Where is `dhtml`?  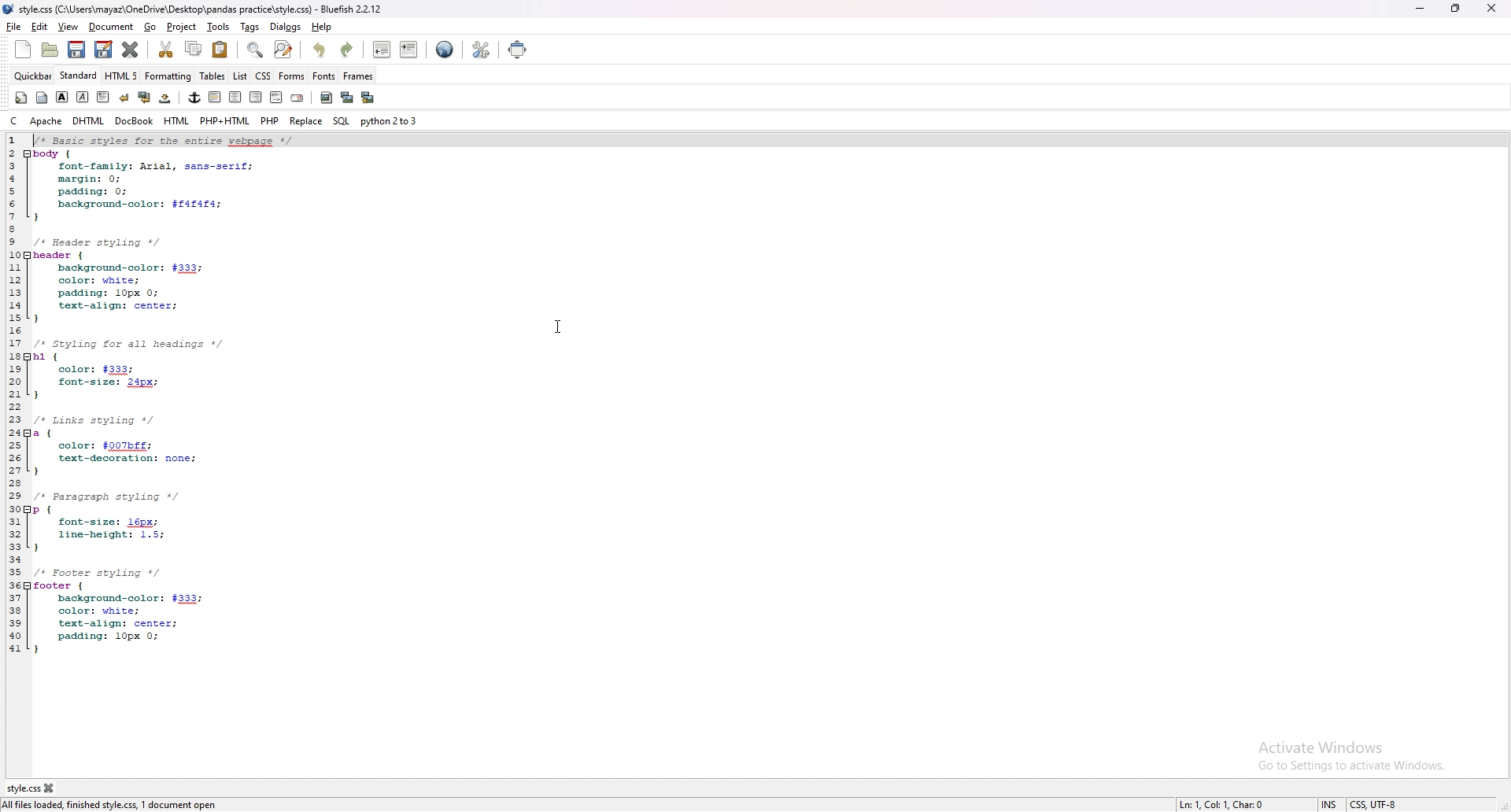
dhtml is located at coordinates (90, 120).